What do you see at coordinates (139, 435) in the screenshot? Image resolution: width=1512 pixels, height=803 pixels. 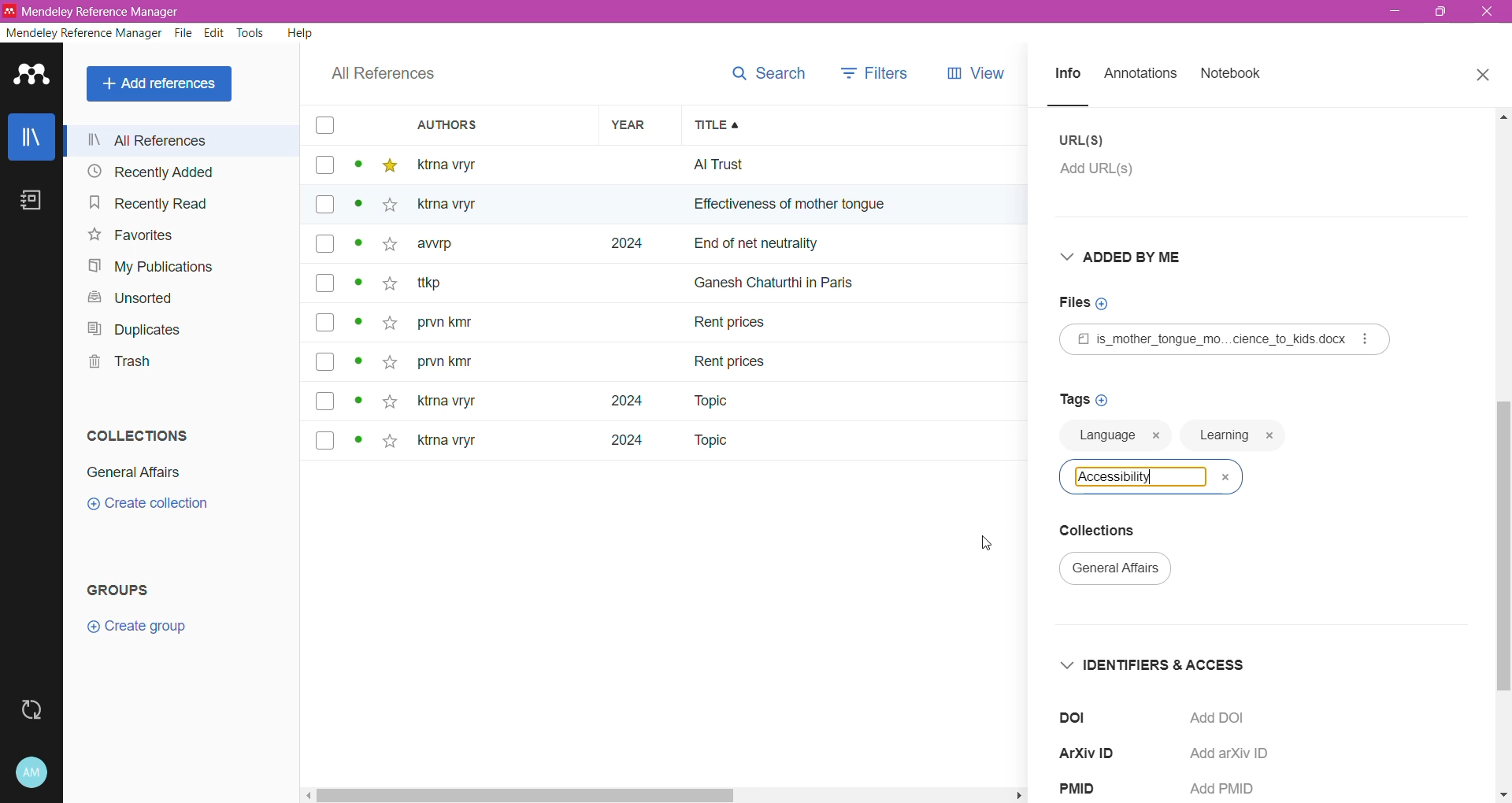 I see `Collections` at bounding box center [139, 435].